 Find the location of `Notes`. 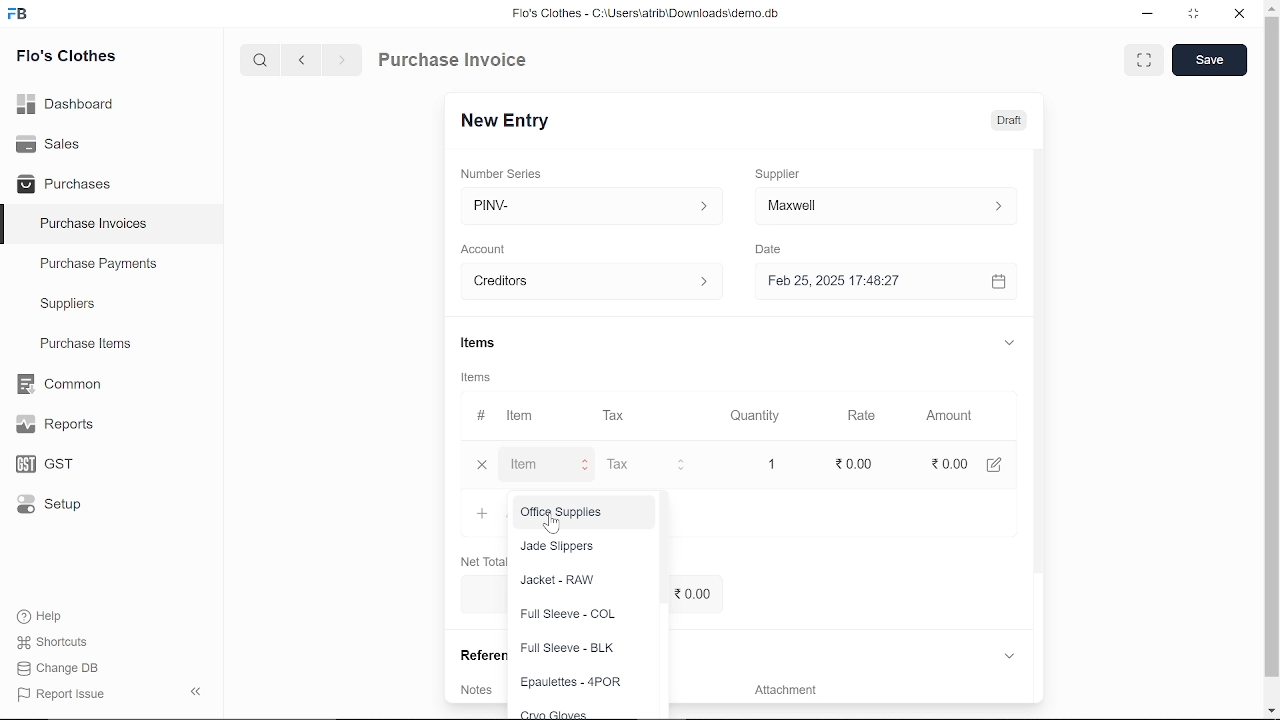

Notes is located at coordinates (480, 691).